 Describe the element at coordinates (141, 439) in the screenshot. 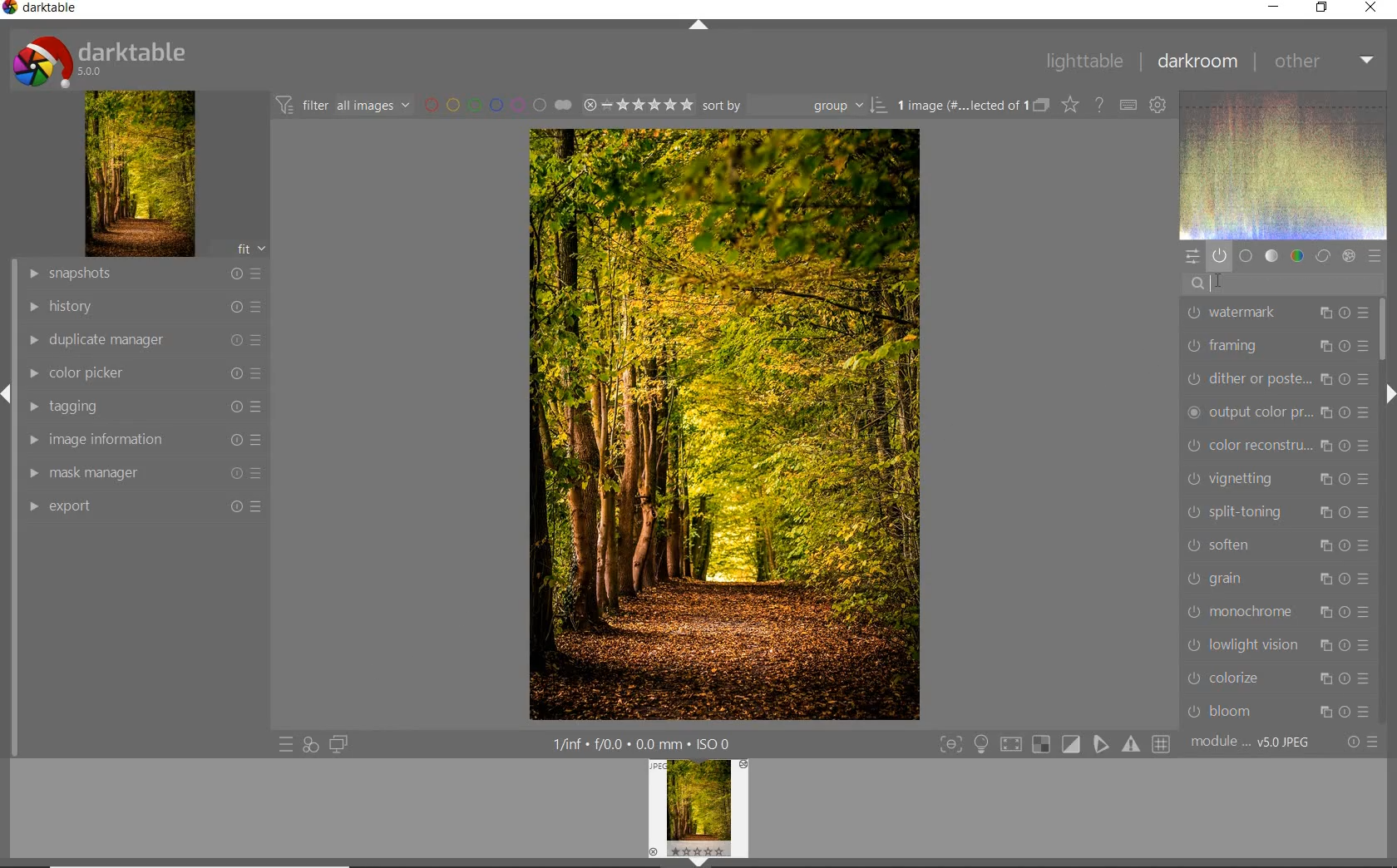

I see `image information` at that location.